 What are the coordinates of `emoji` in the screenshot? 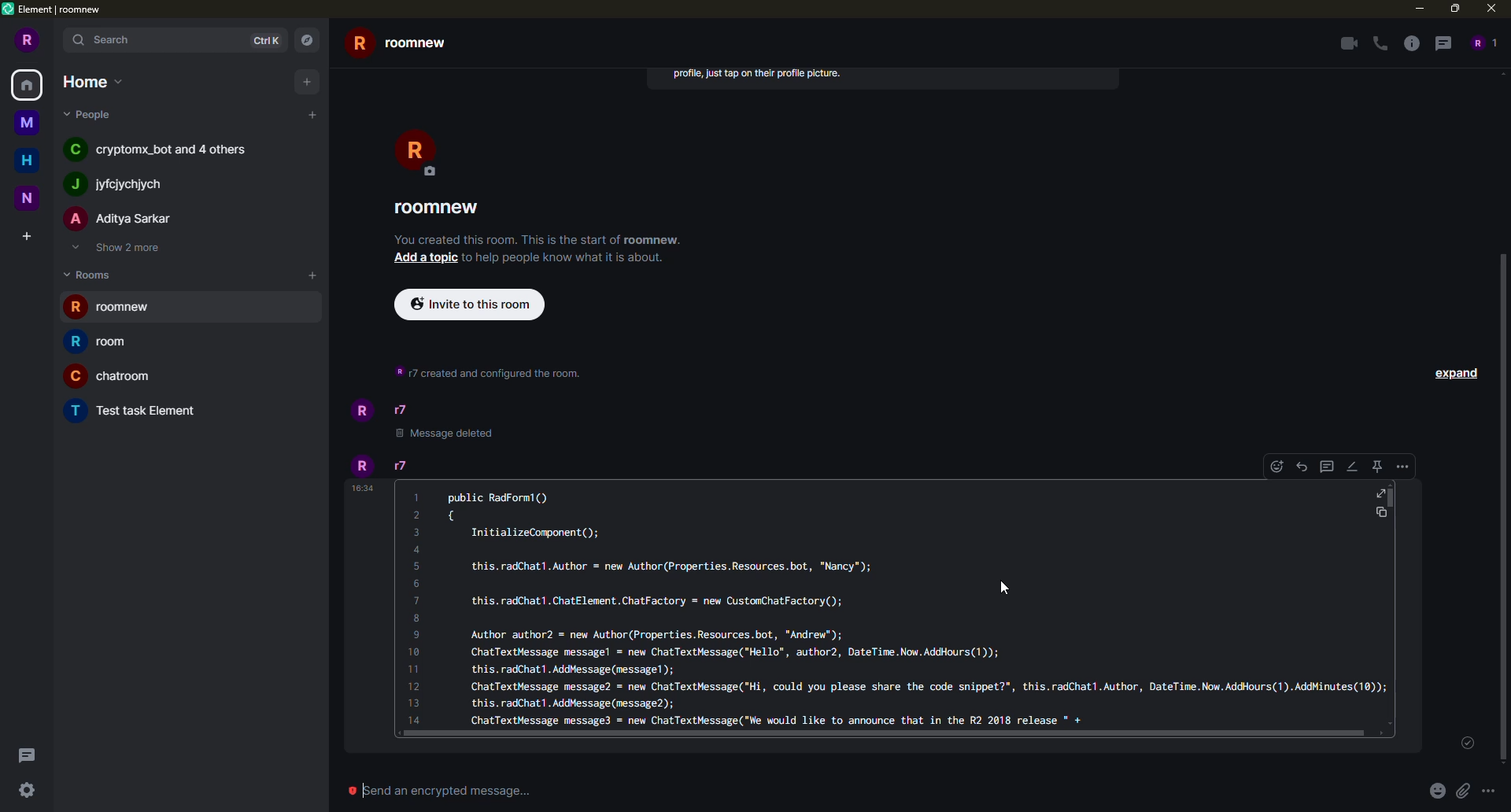 It's located at (1276, 467).